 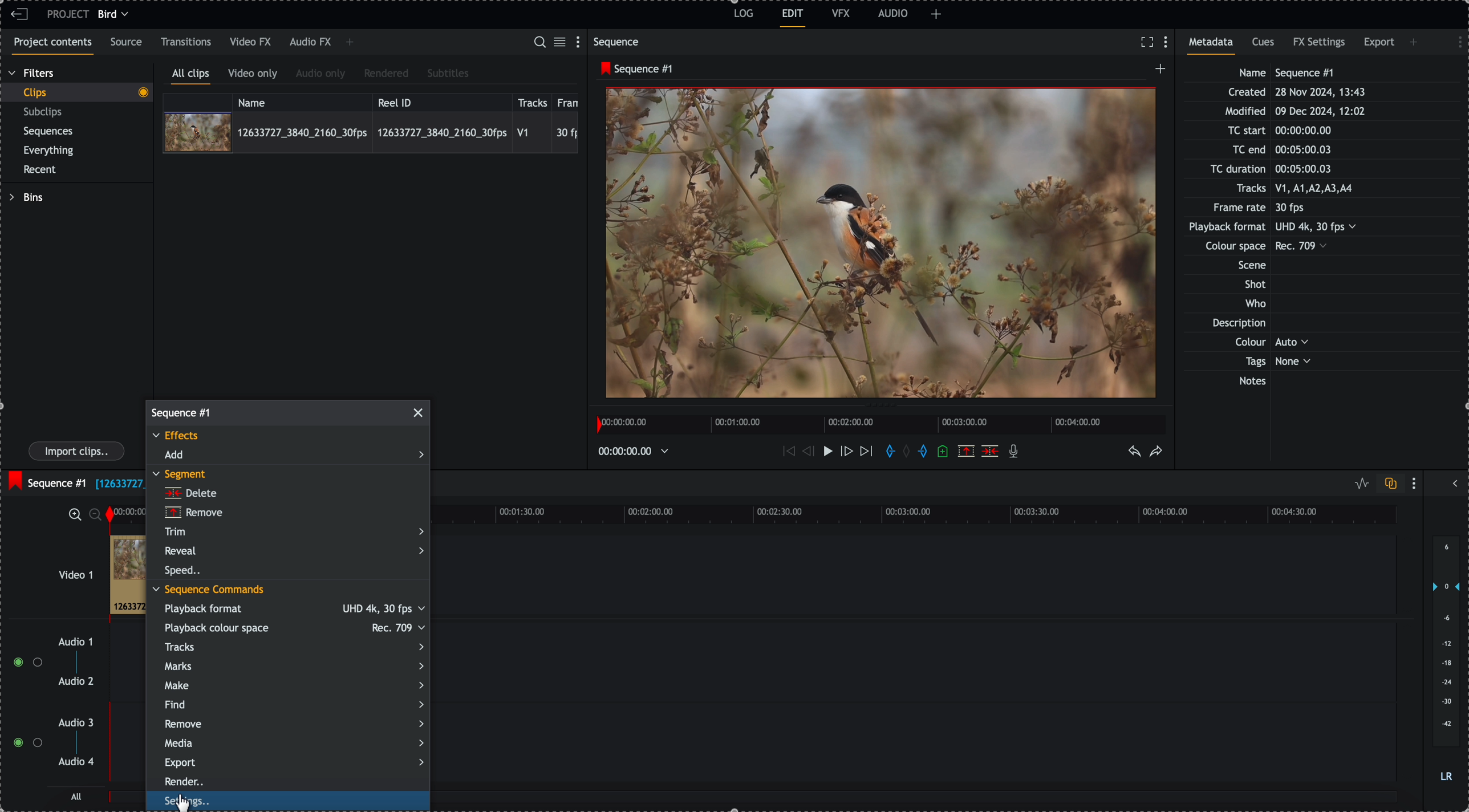 I want to click on metadata, so click(x=1215, y=46).